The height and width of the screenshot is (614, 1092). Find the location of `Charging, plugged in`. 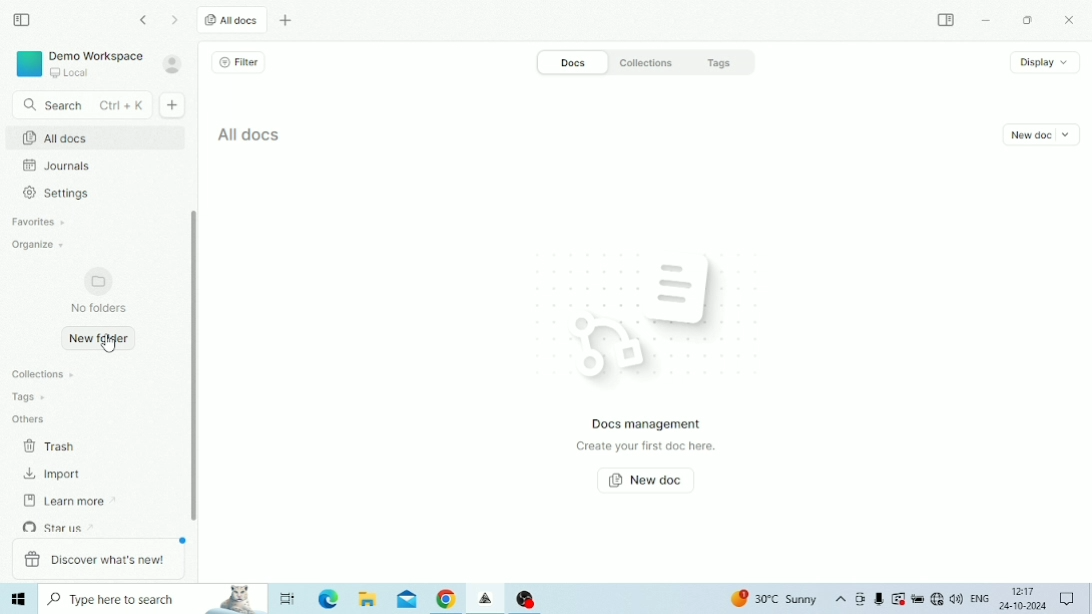

Charging, plugged in is located at coordinates (917, 599).